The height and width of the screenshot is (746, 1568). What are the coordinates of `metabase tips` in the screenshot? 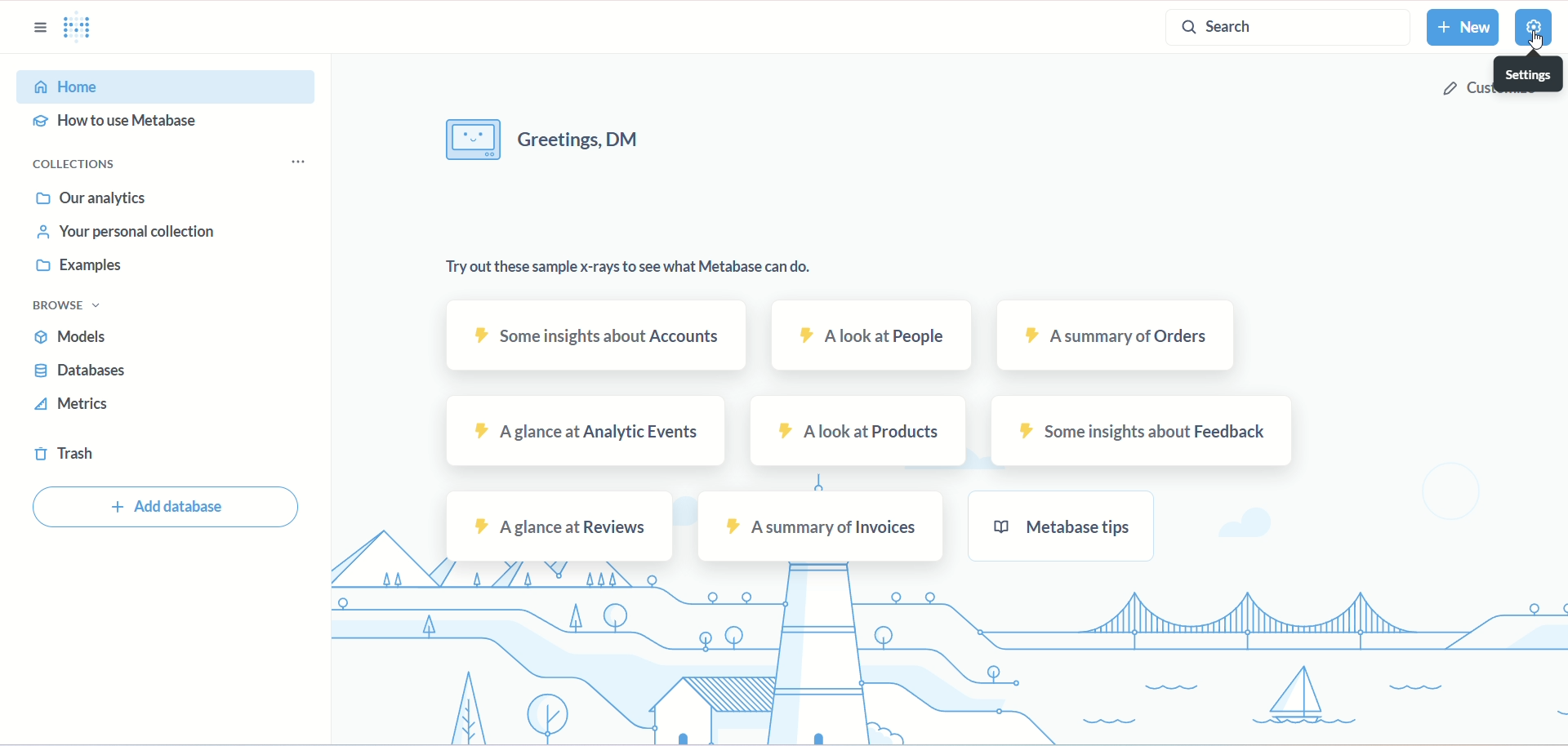 It's located at (1067, 526).